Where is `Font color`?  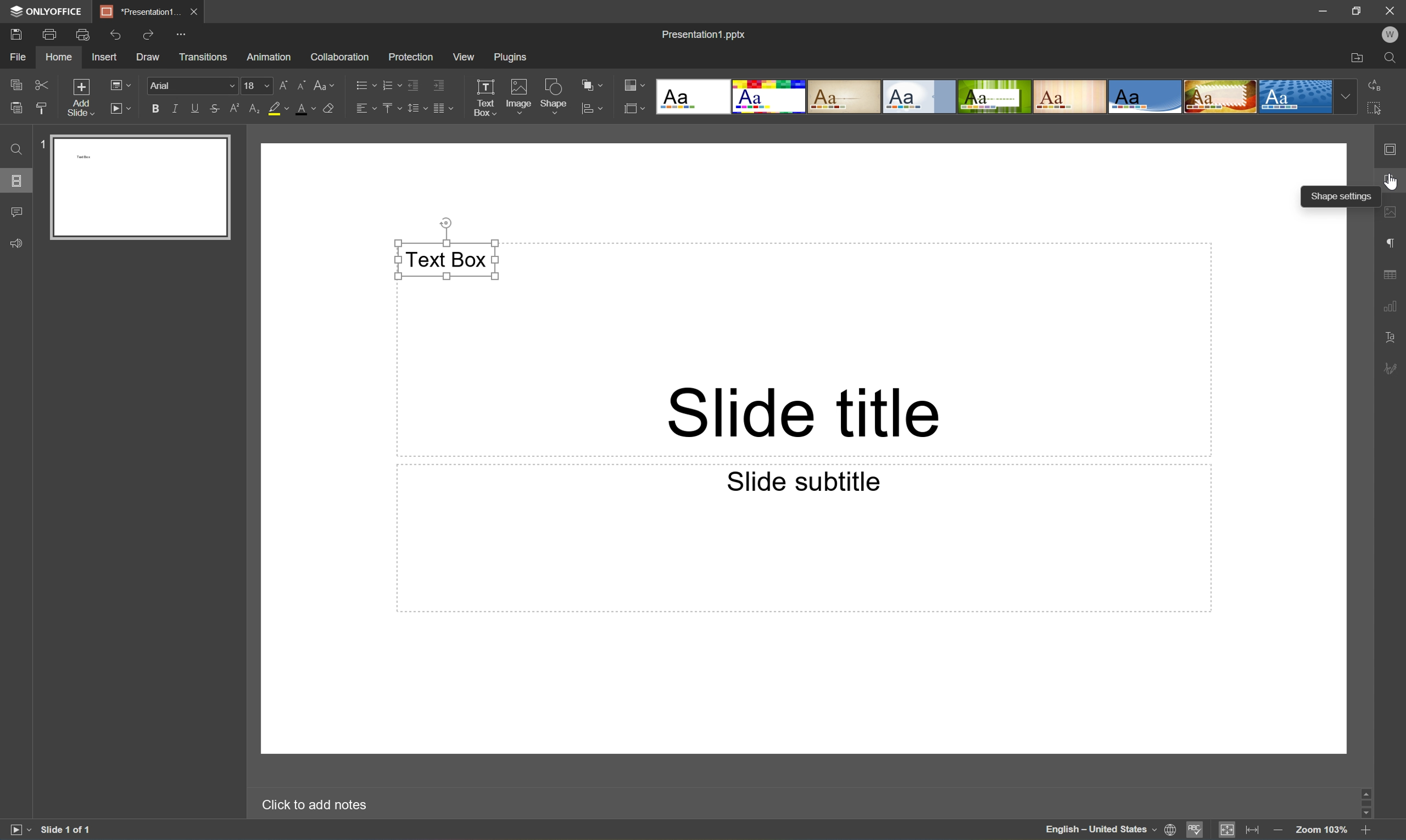 Font color is located at coordinates (304, 109).